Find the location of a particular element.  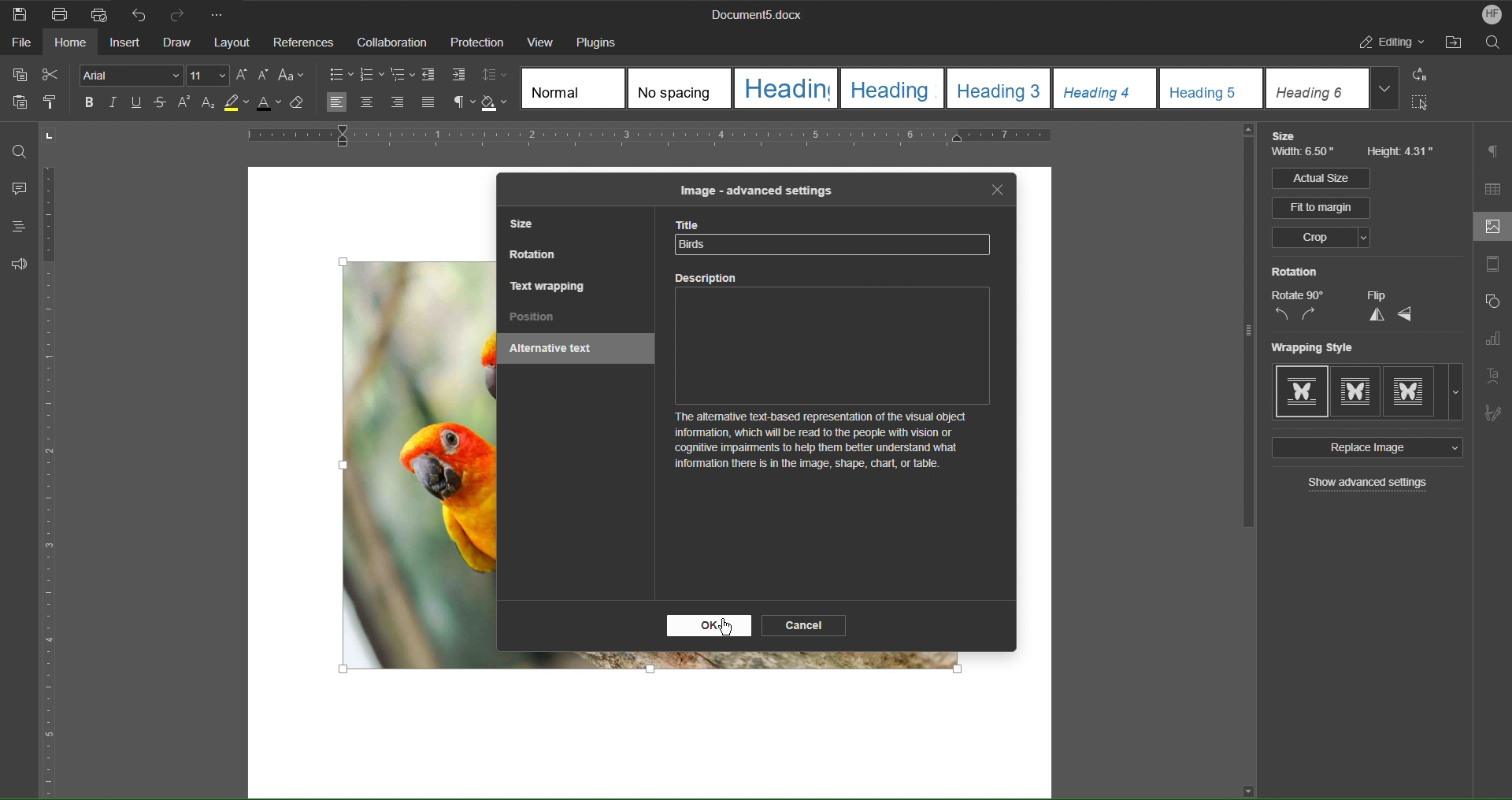

Comment is located at coordinates (16, 190).